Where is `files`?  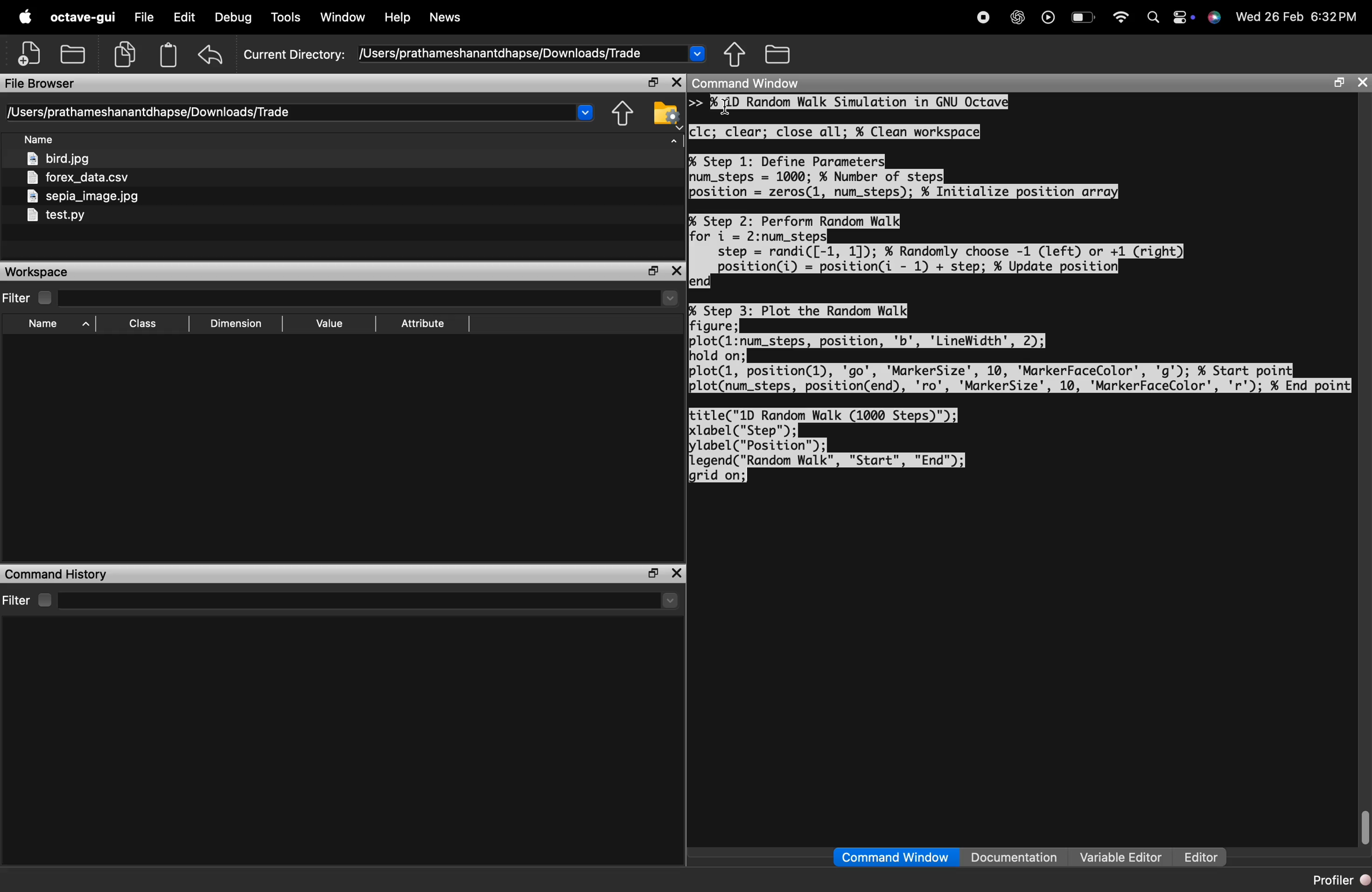
files is located at coordinates (86, 188).